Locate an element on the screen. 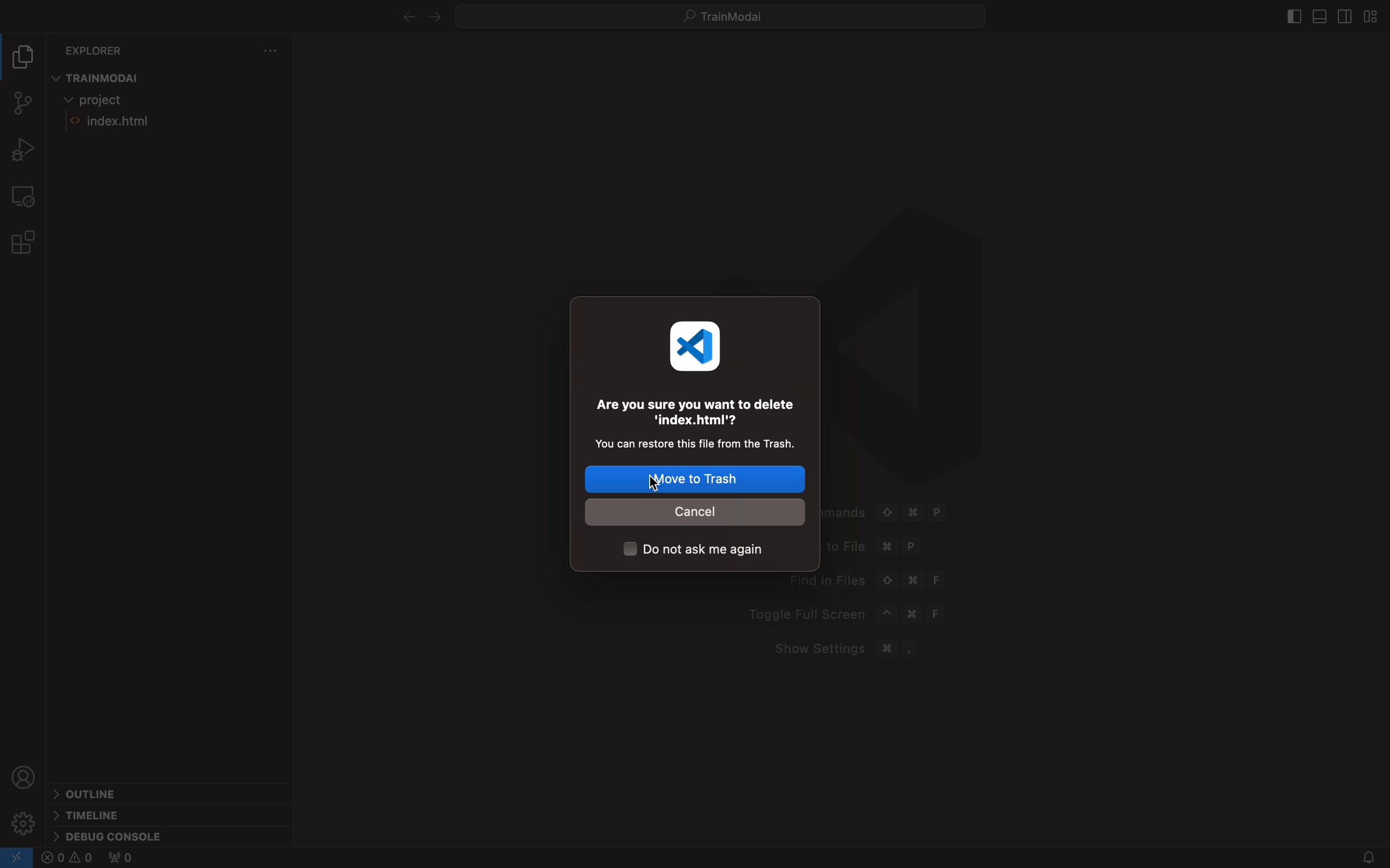 This screenshot has height=868, width=1390. Find is located at coordinates (870, 580).